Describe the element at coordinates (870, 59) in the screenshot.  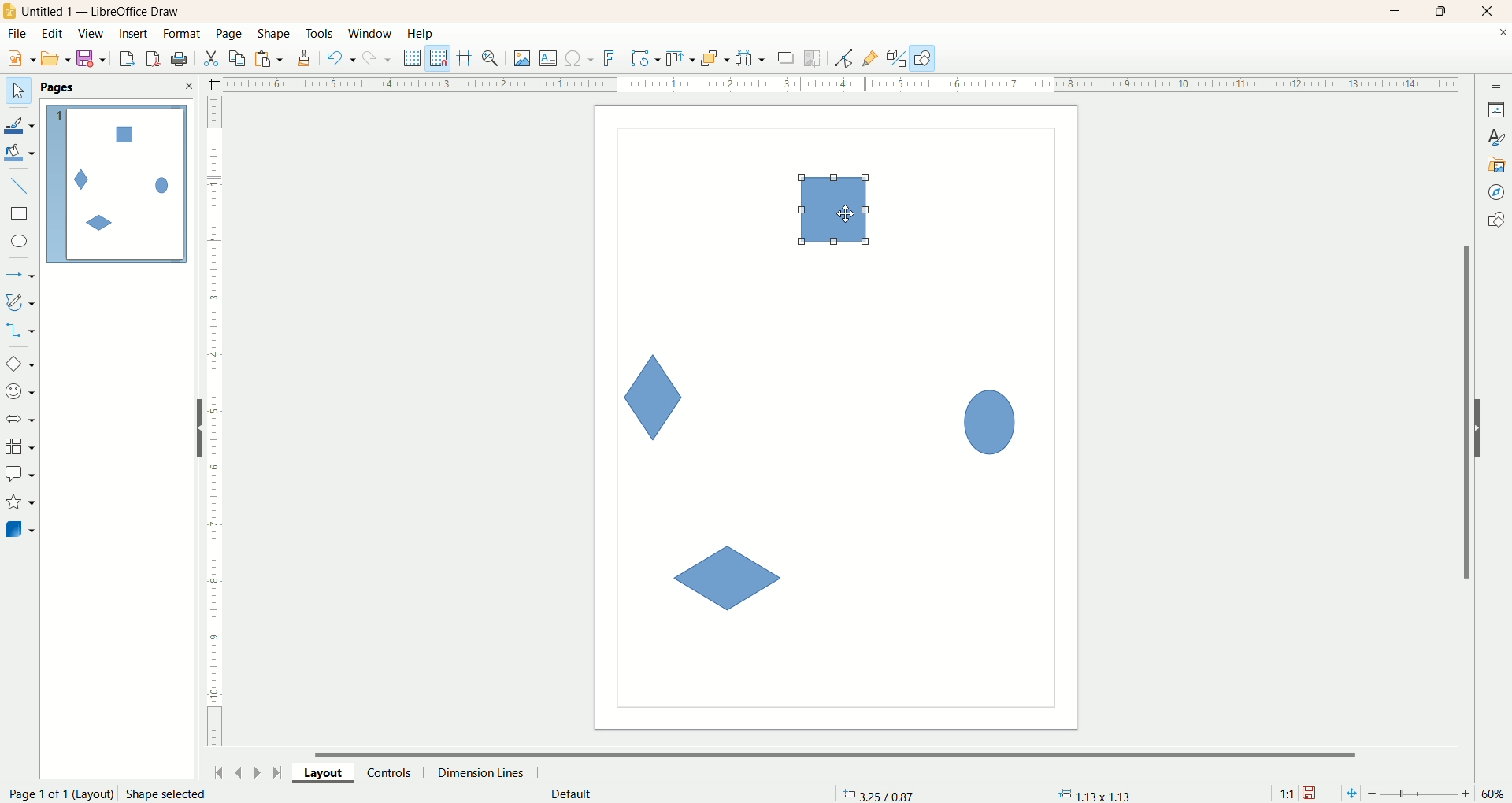
I see `gluepoint function` at that location.